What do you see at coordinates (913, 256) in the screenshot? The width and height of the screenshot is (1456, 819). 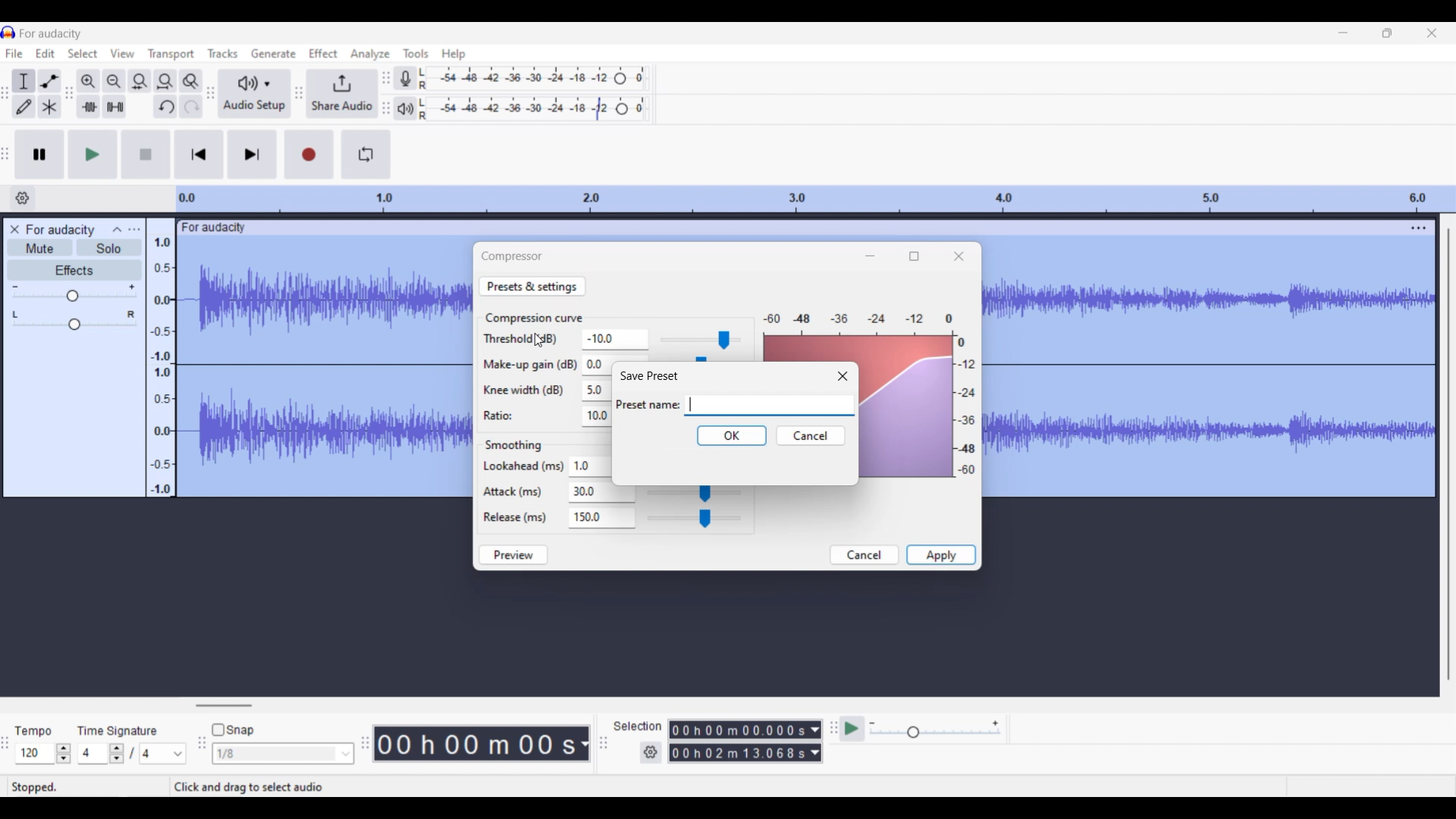 I see `Show in a bigger tab` at bounding box center [913, 256].